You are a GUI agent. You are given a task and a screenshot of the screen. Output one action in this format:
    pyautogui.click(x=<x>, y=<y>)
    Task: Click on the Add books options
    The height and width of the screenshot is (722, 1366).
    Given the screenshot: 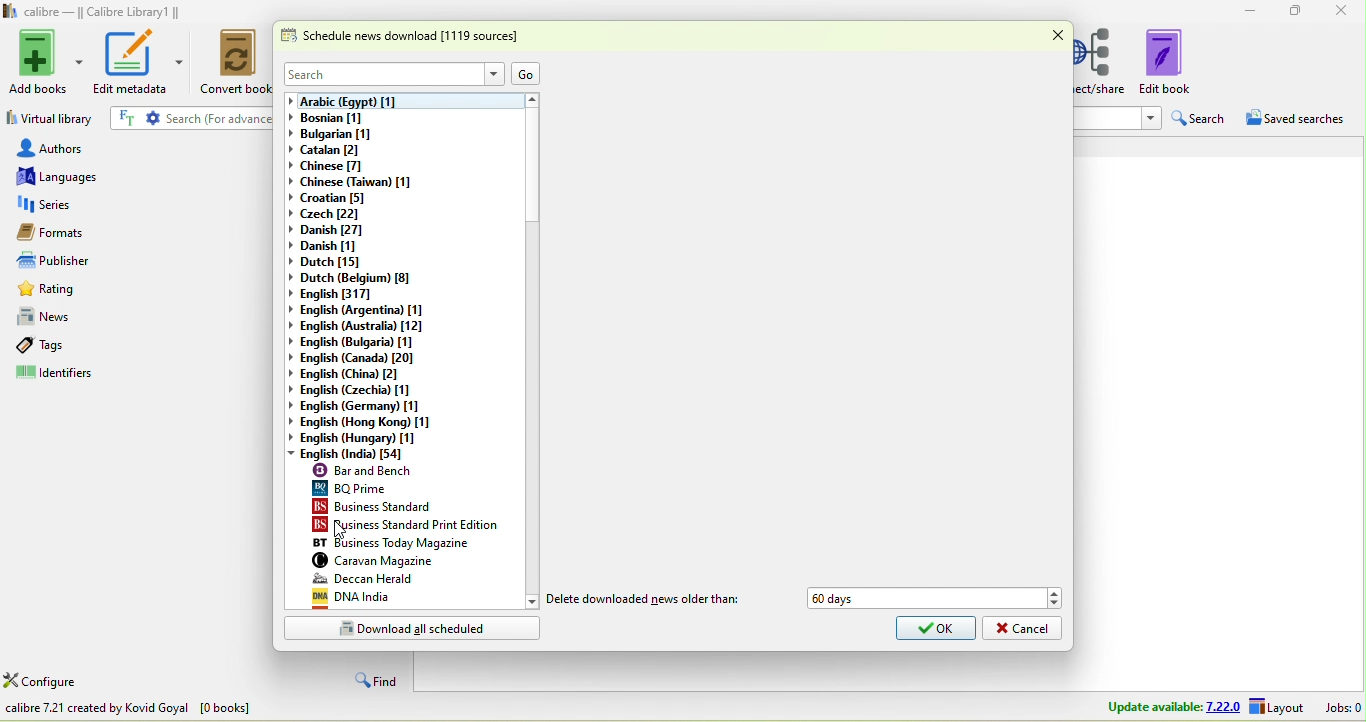 What is the action you would take?
    pyautogui.click(x=81, y=59)
    